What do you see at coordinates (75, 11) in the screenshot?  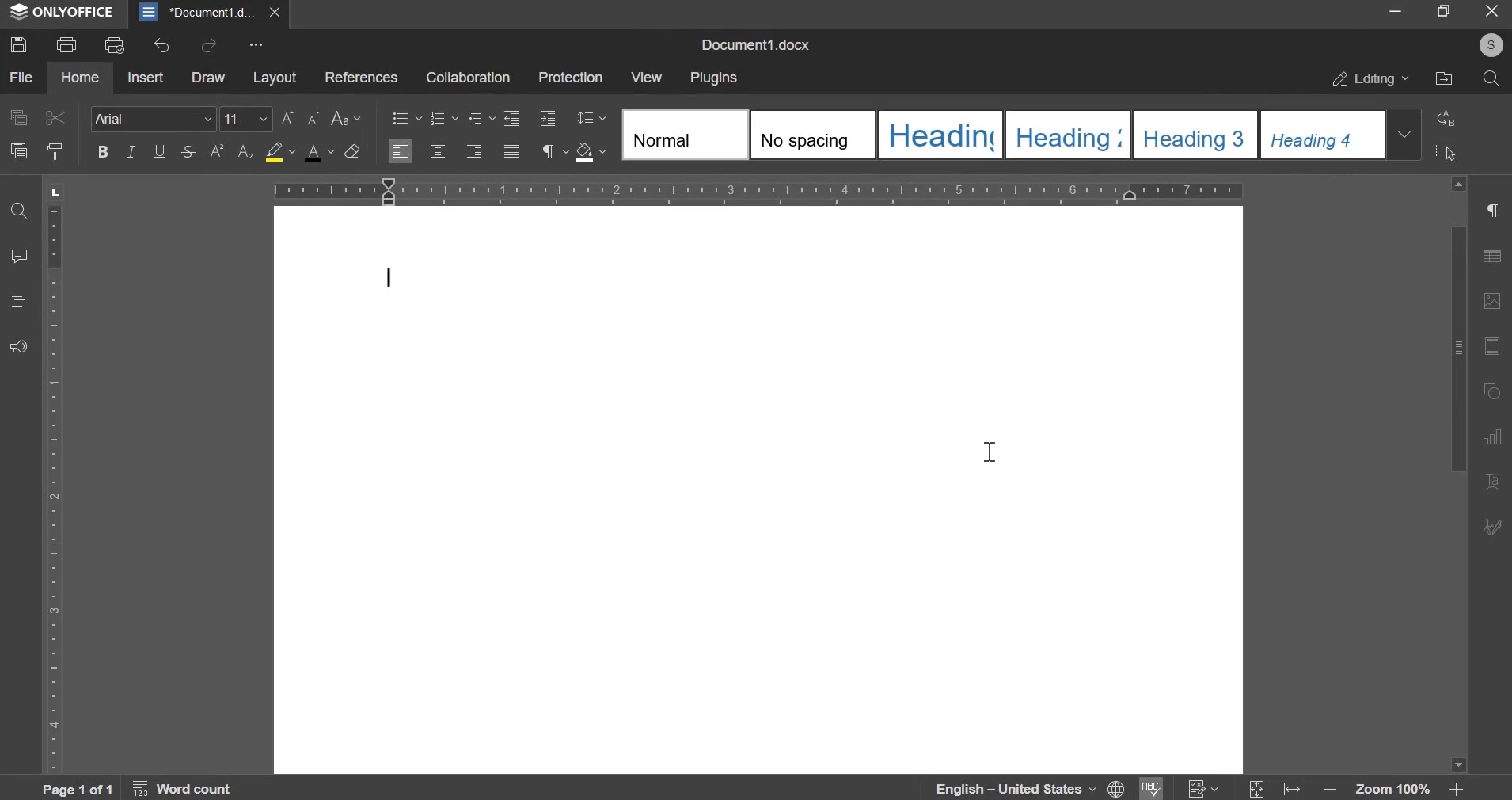 I see `ONLYOFFICE` at bounding box center [75, 11].